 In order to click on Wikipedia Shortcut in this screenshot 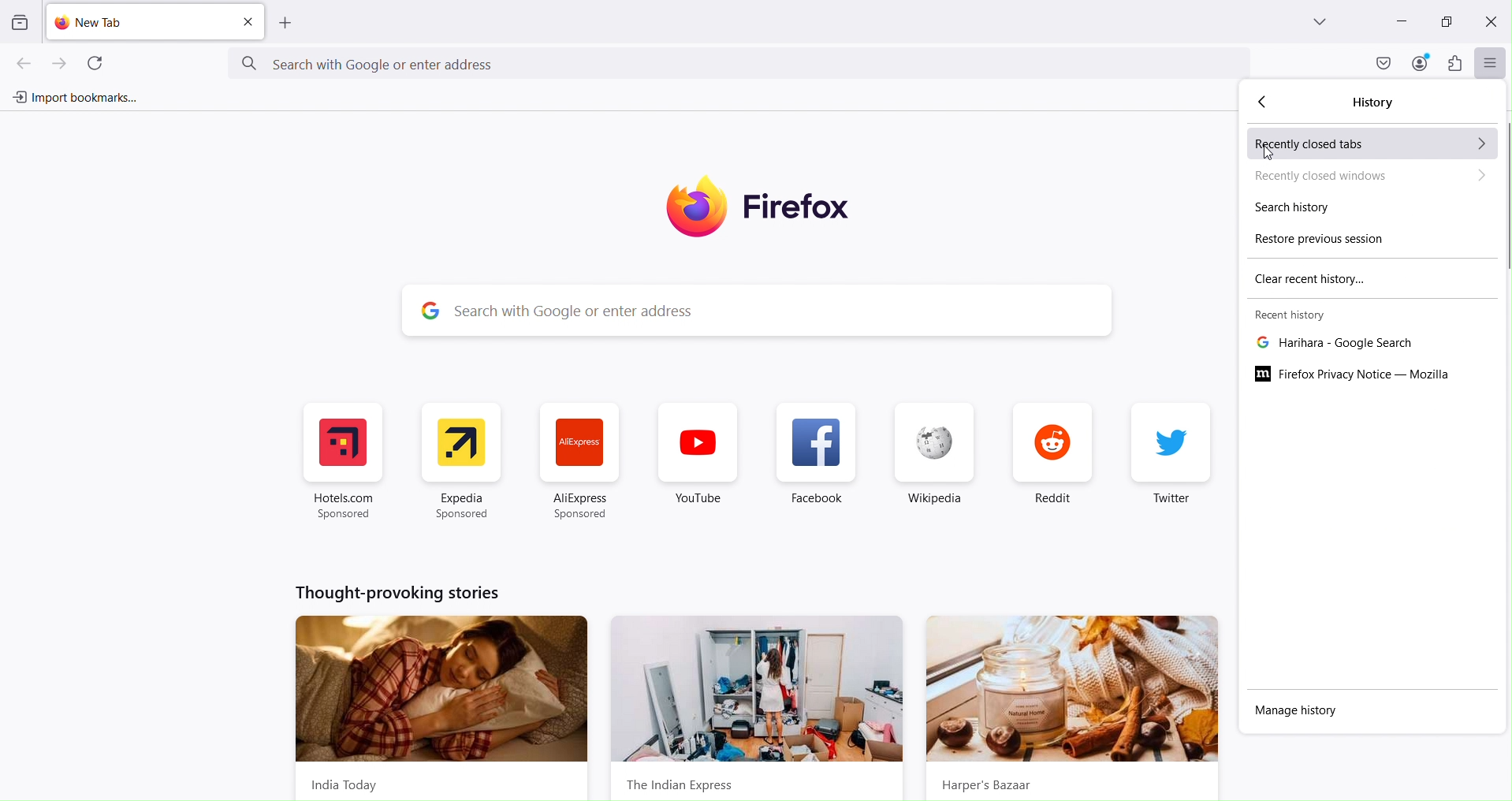, I will do `click(933, 463)`.